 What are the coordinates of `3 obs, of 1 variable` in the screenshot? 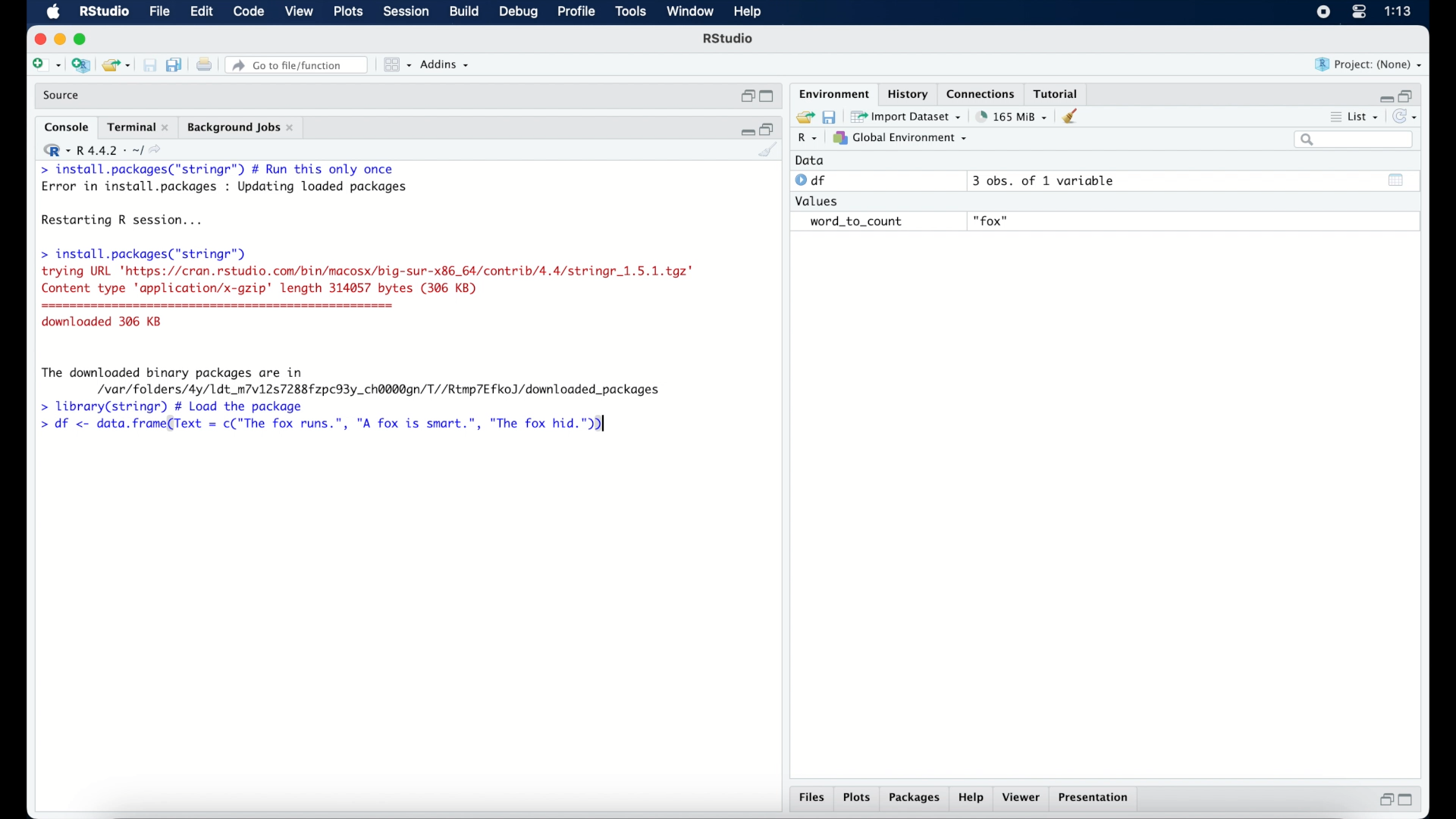 It's located at (1050, 180).